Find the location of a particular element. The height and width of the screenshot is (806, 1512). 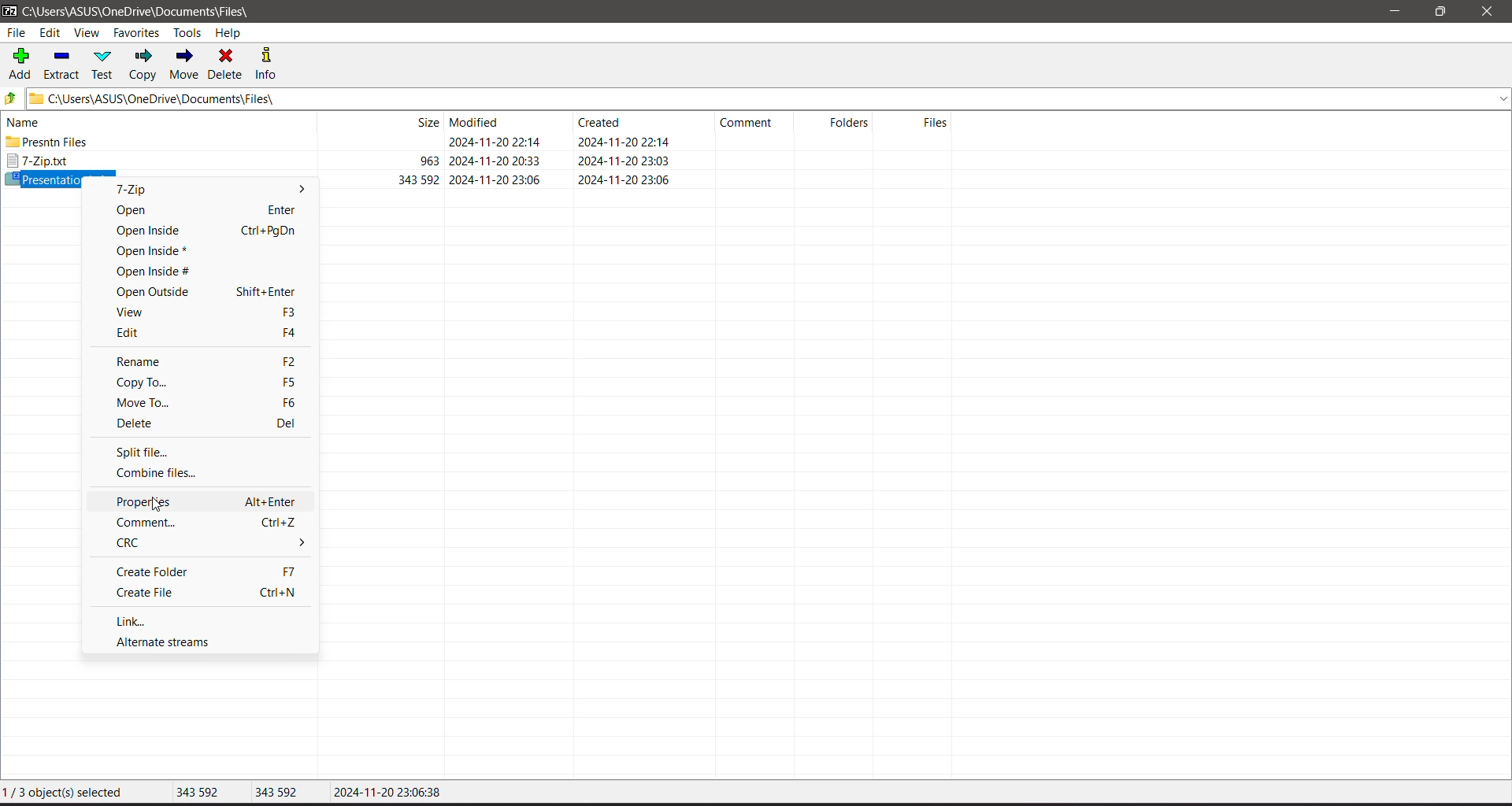

Comment is located at coordinates (196, 523).